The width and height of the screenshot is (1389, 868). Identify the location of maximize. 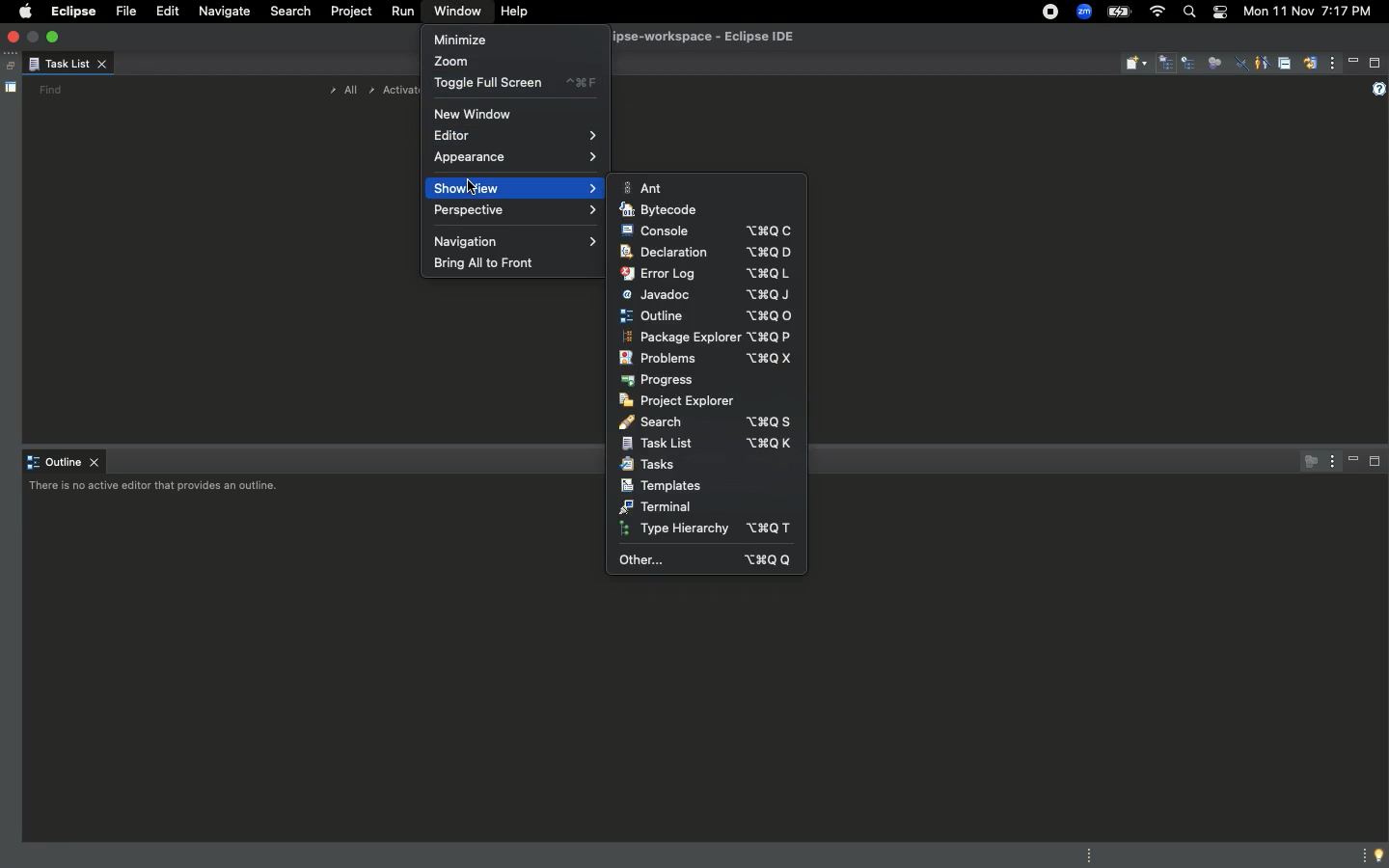
(55, 36).